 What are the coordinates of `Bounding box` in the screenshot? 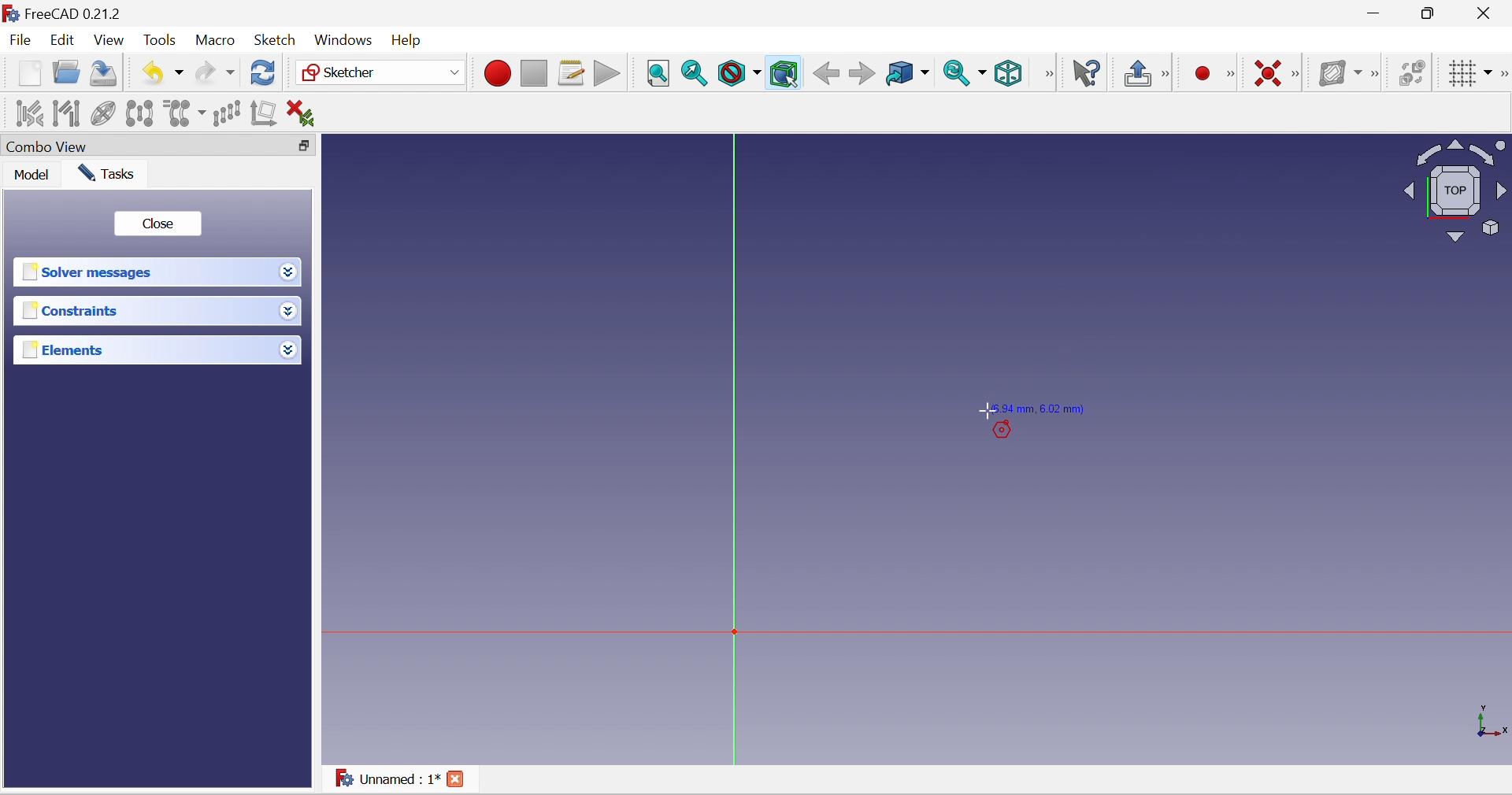 It's located at (785, 74).